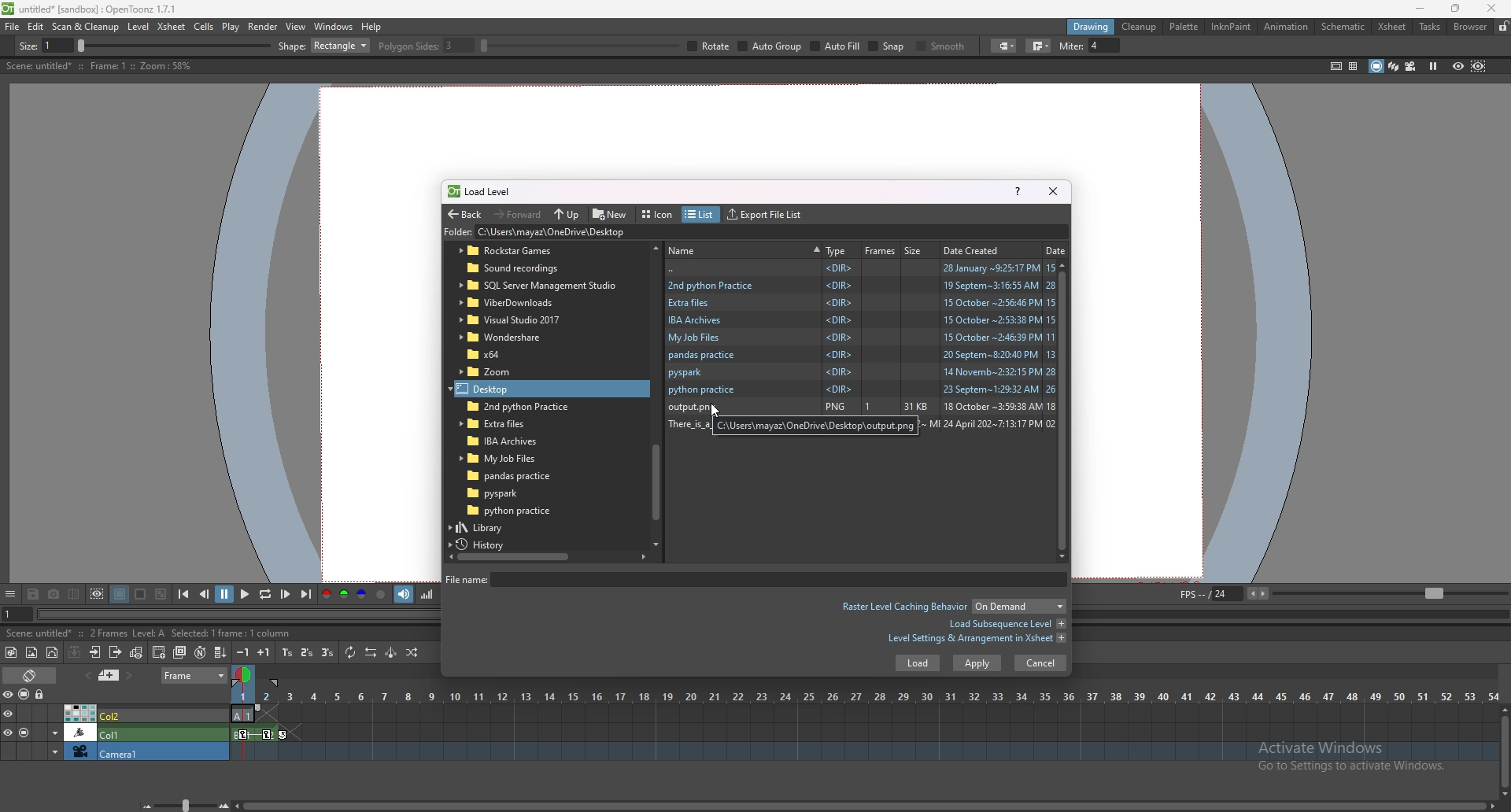 This screenshot has height=812, width=1511. I want to click on visibility camera stand lock, so click(26, 694).